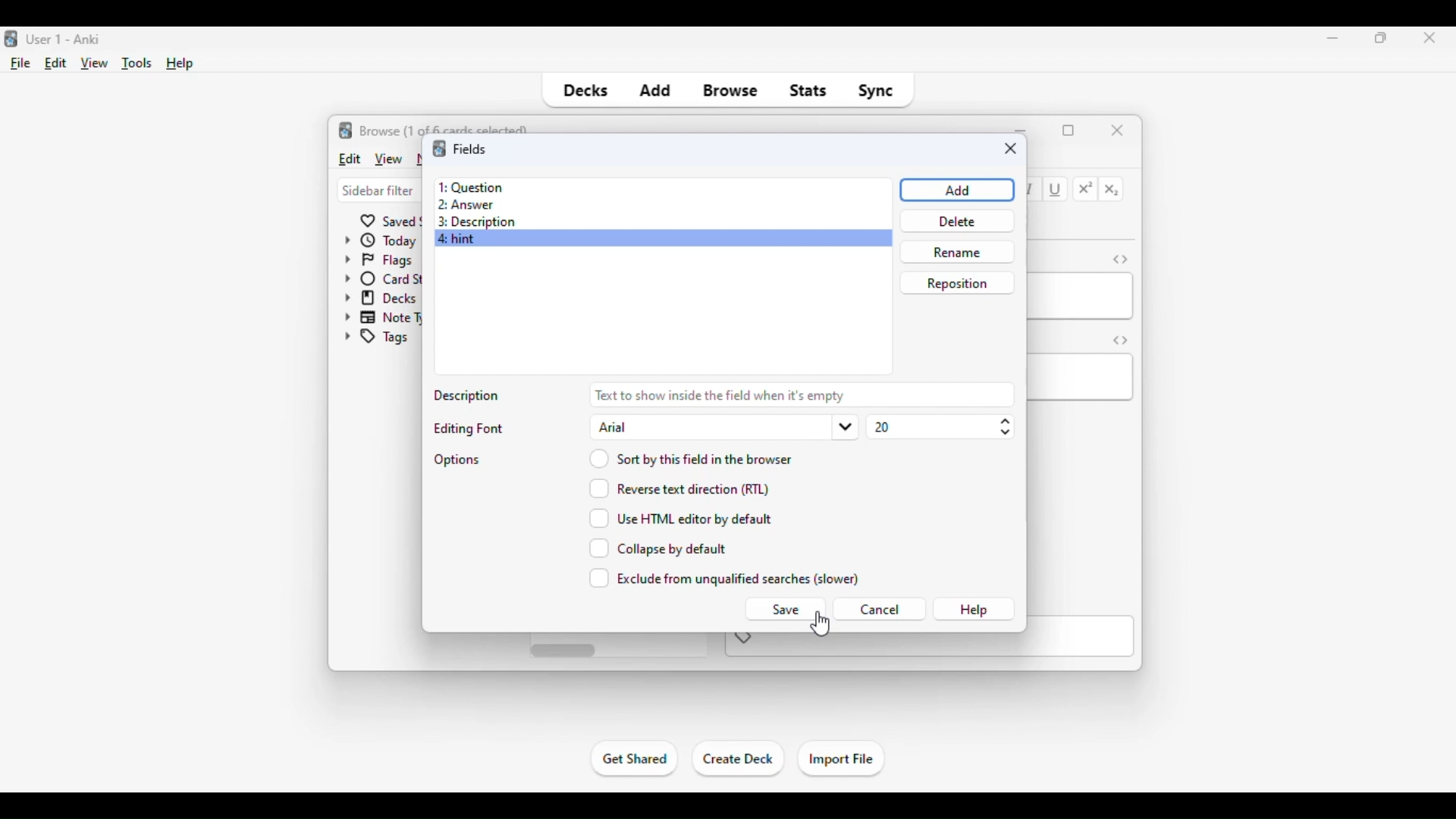  What do you see at coordinates (955, 221) in the screenshot?
I see `delete` at bounding box center [955, 221].